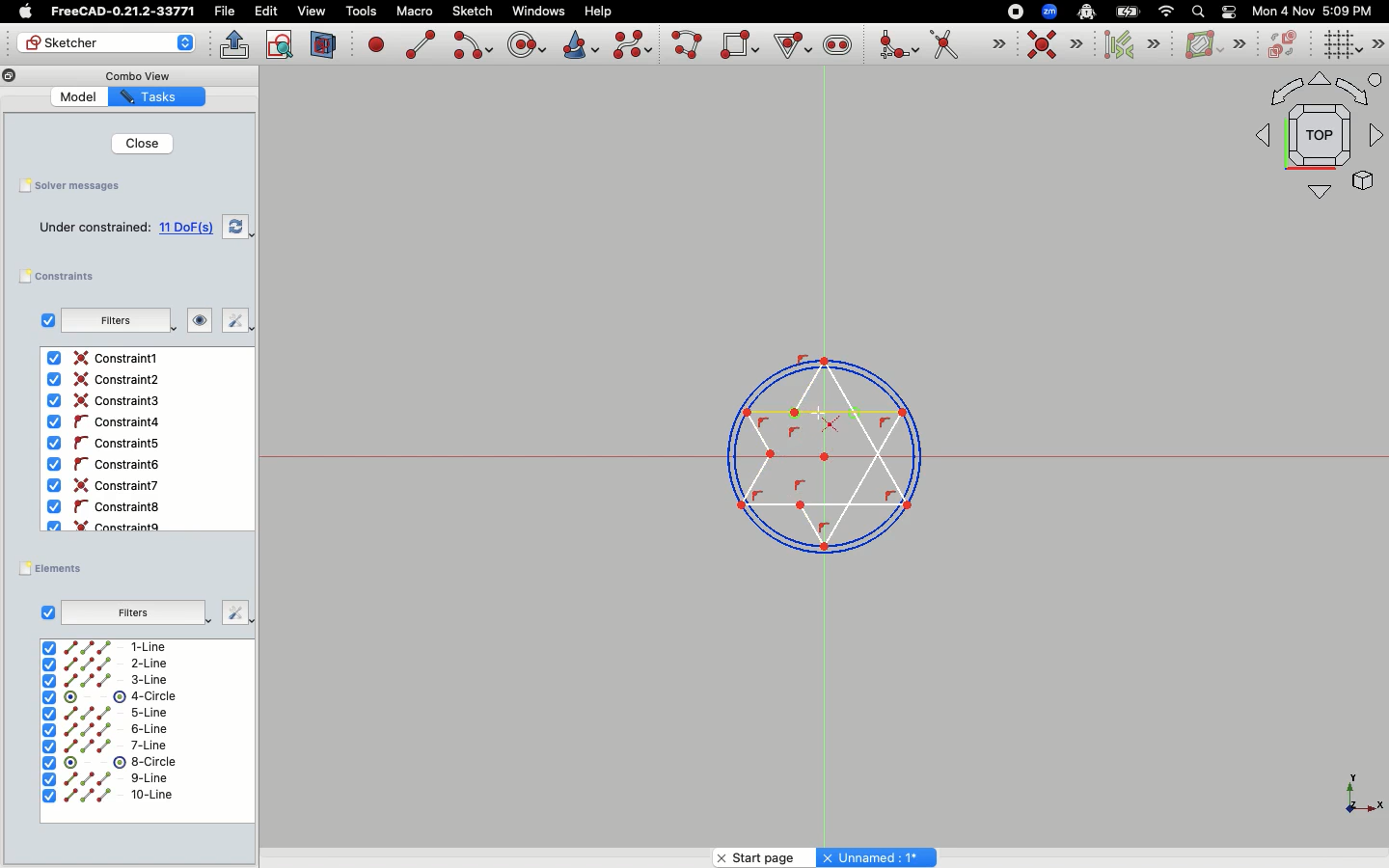 Image resolution: width=1389 pixels, height=868 pixels. I want to click on Constraint2, so click(108, 380).